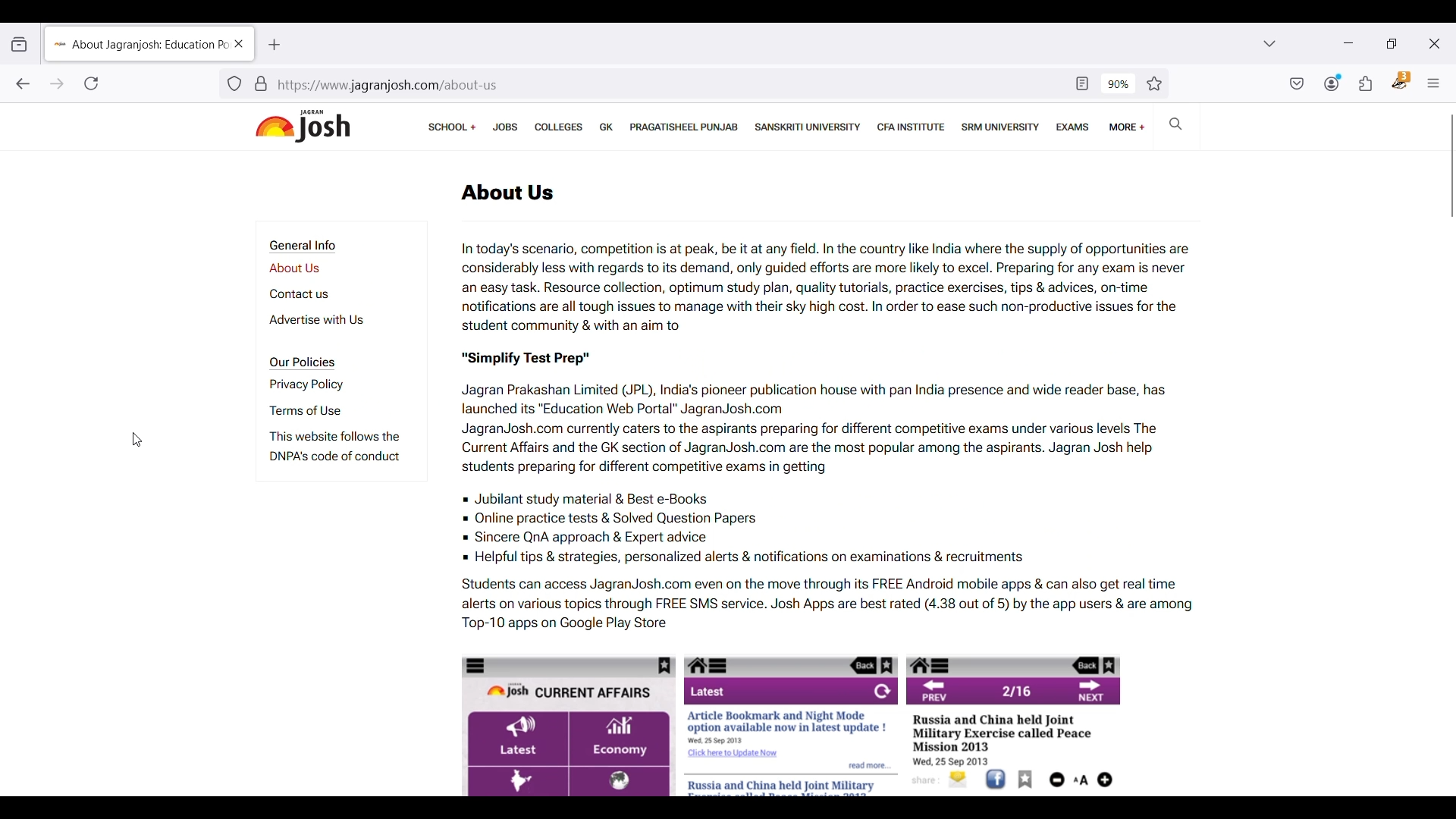 The width and height of the screenshot is (1456, 819). I want to click on List all tabs, so click(1270, 43).